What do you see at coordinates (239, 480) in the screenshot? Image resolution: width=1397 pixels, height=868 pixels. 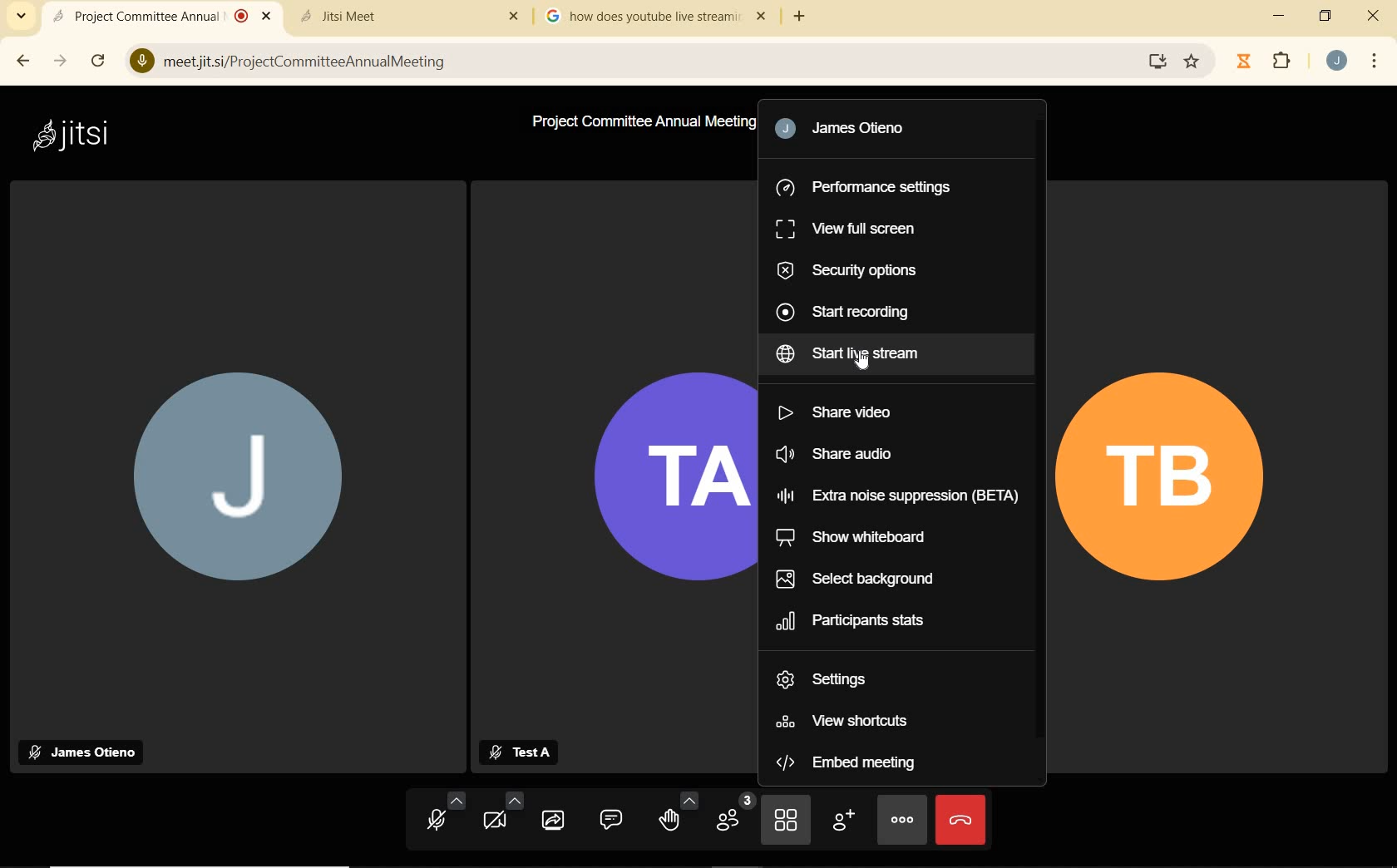 I see `J` at bounding box center [239, 480].